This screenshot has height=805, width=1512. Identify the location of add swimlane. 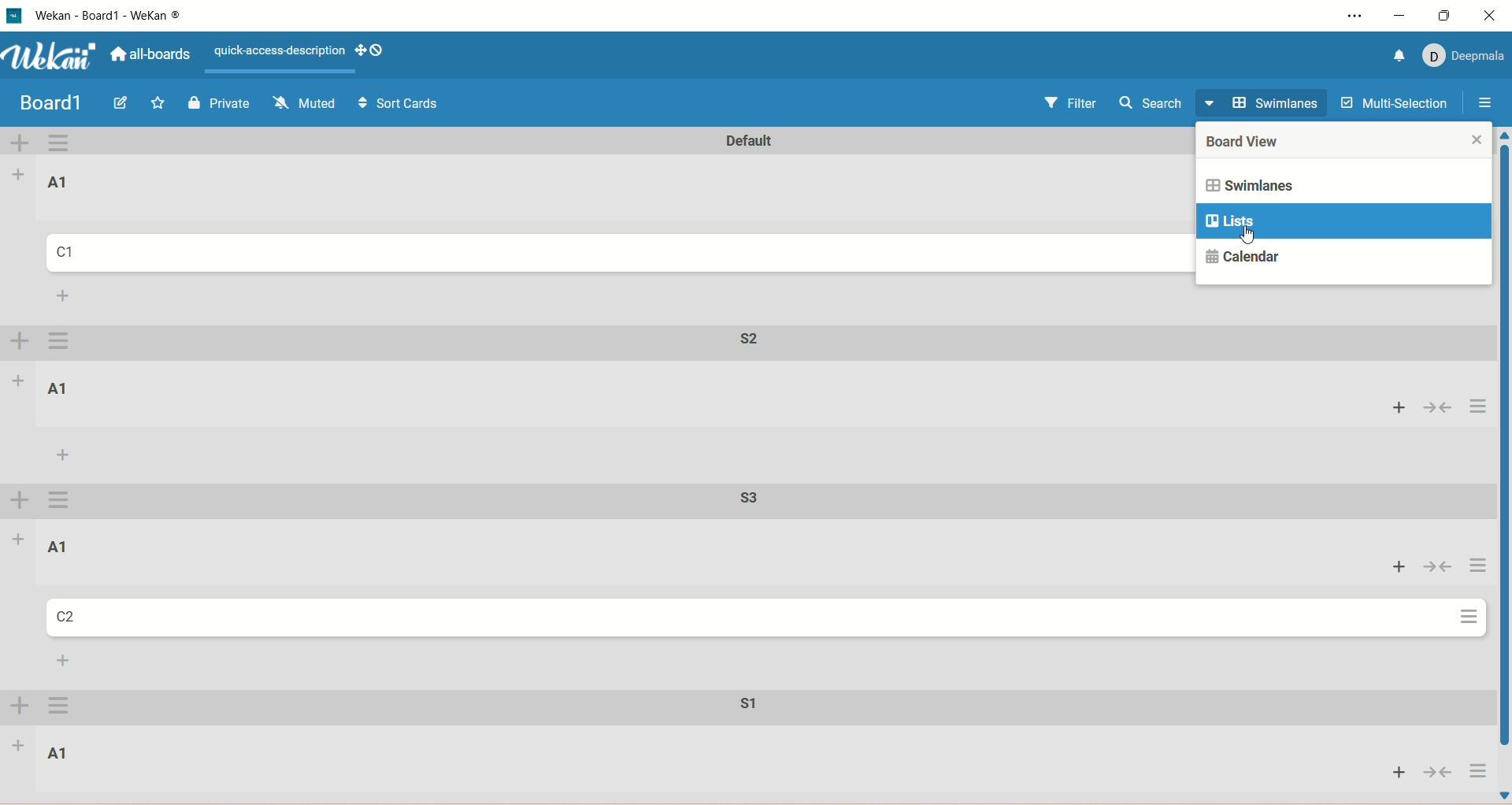
(21, 500).